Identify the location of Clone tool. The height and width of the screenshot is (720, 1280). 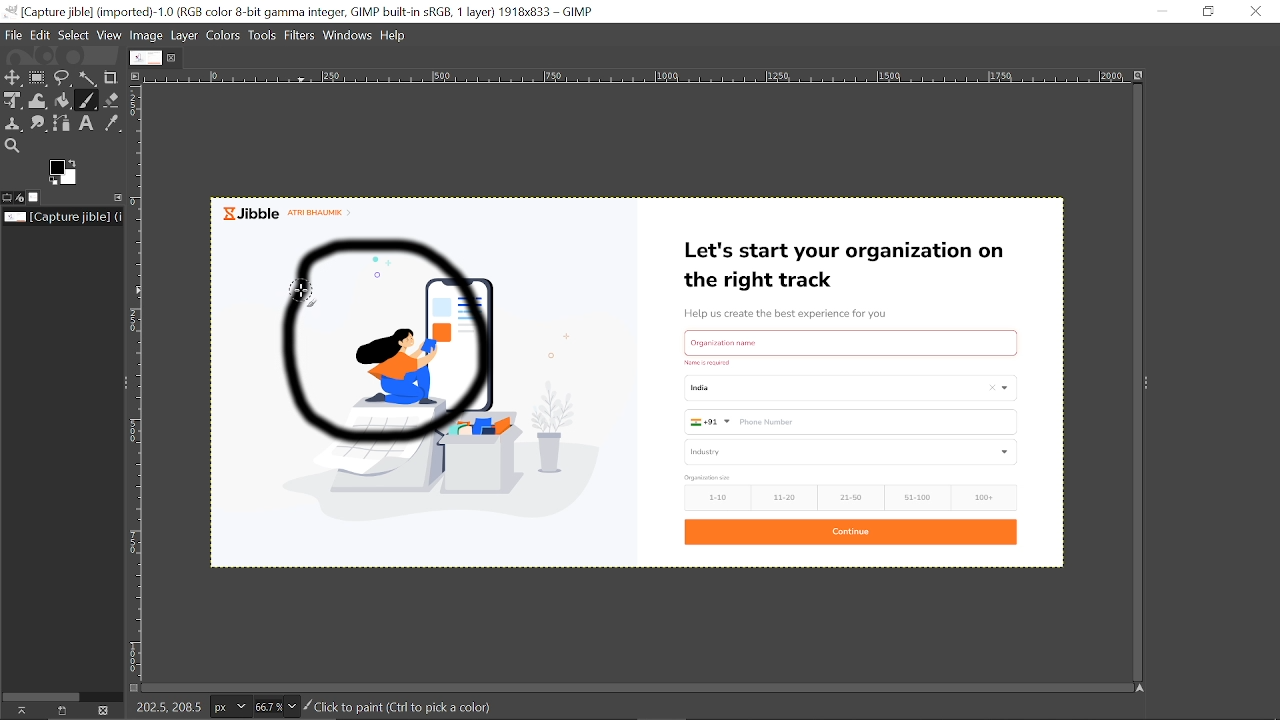
(15, 124).